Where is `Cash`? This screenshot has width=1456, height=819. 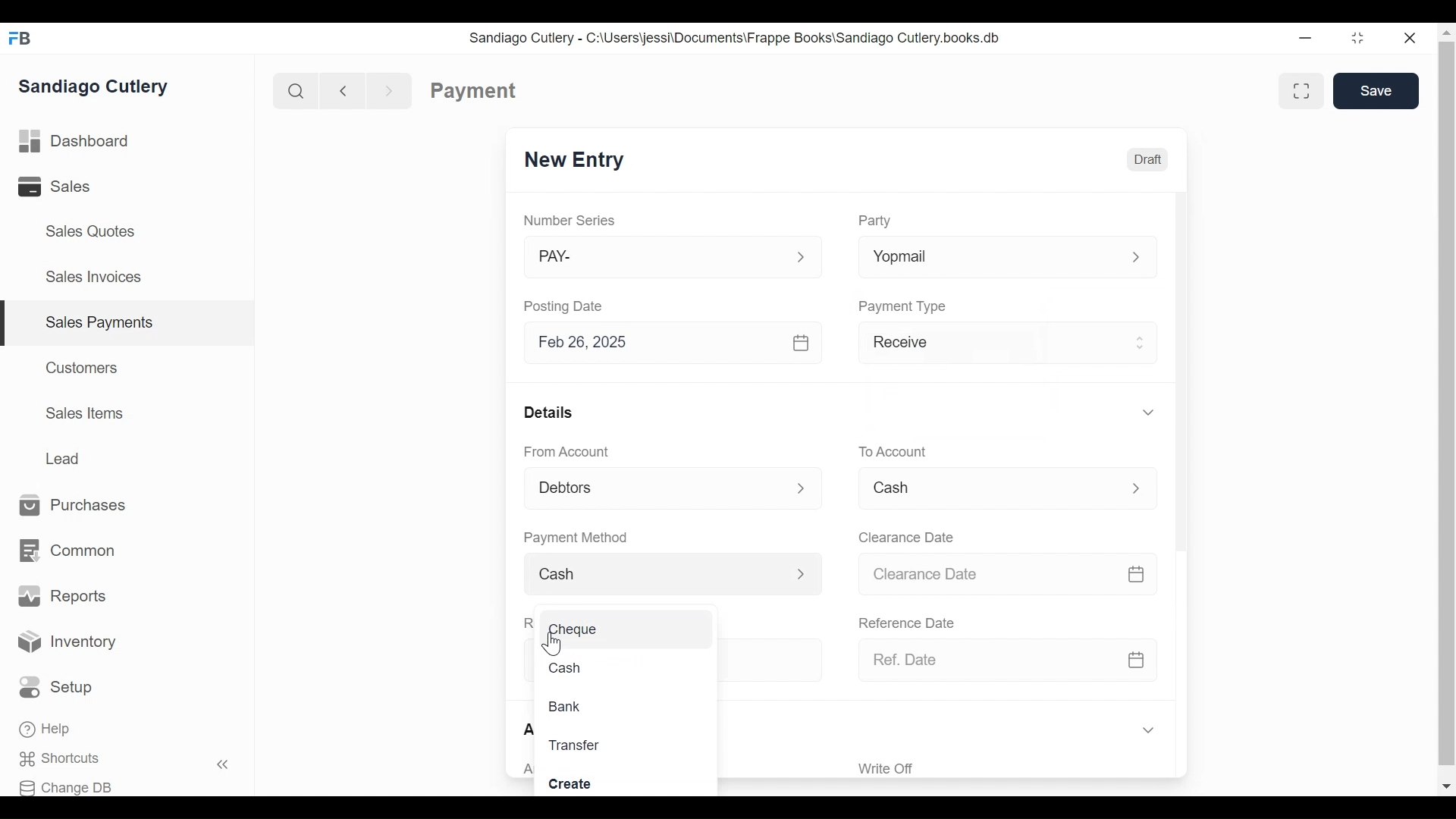 Cash is located at coordinates (564, 667).